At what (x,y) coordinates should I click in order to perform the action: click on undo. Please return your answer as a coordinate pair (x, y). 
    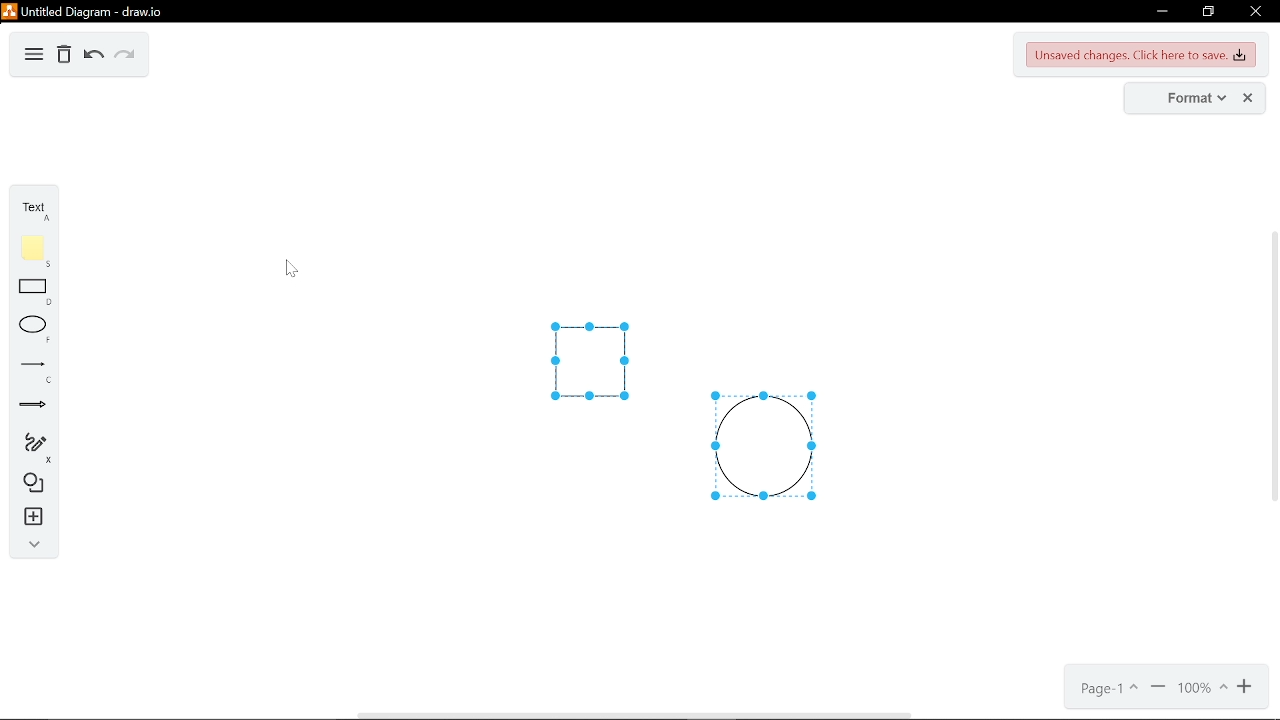
    Looking at the image, I should click on (92, 57).